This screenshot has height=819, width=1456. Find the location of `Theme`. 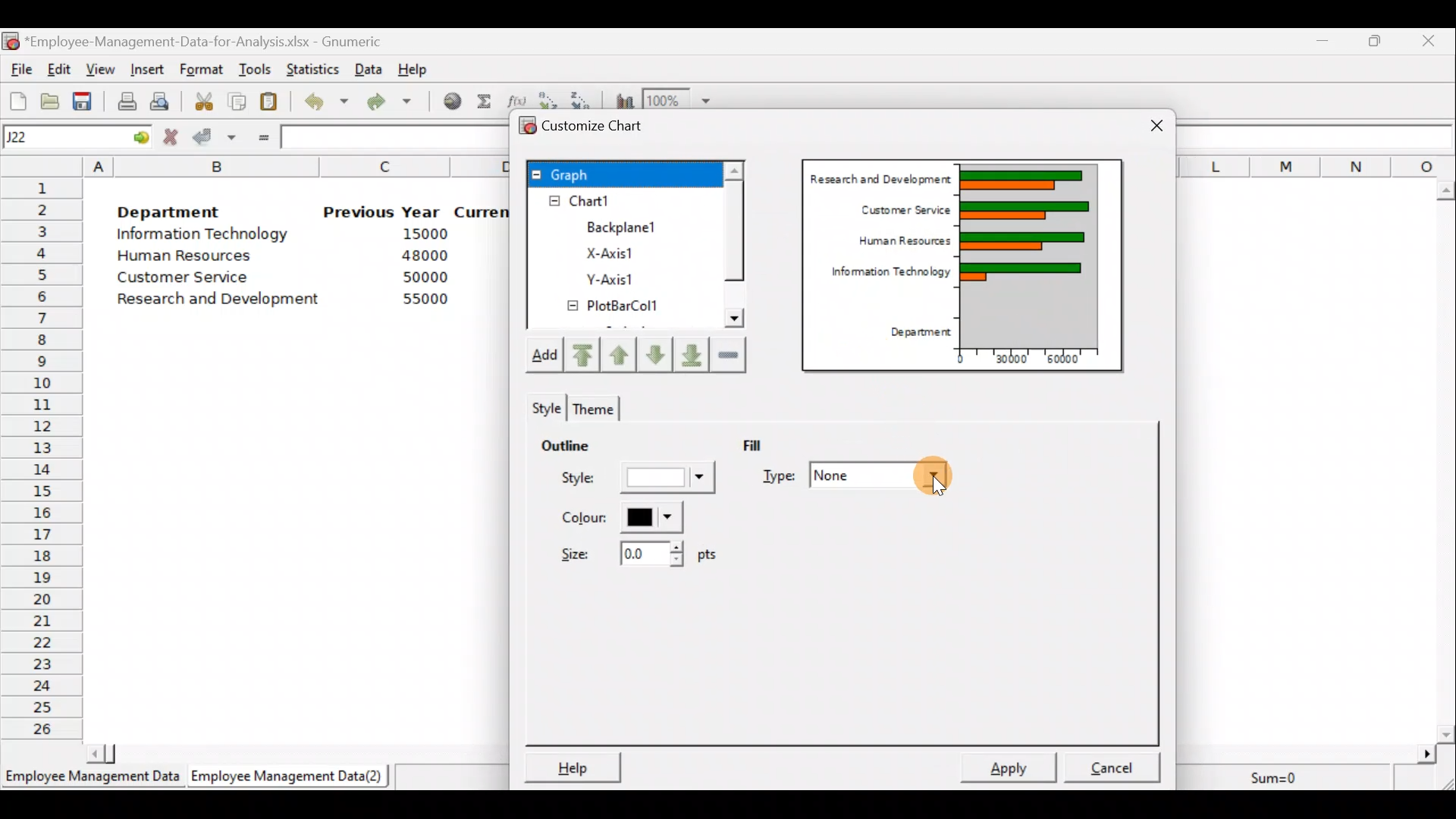

Theme is located at coordinates (597, 406).